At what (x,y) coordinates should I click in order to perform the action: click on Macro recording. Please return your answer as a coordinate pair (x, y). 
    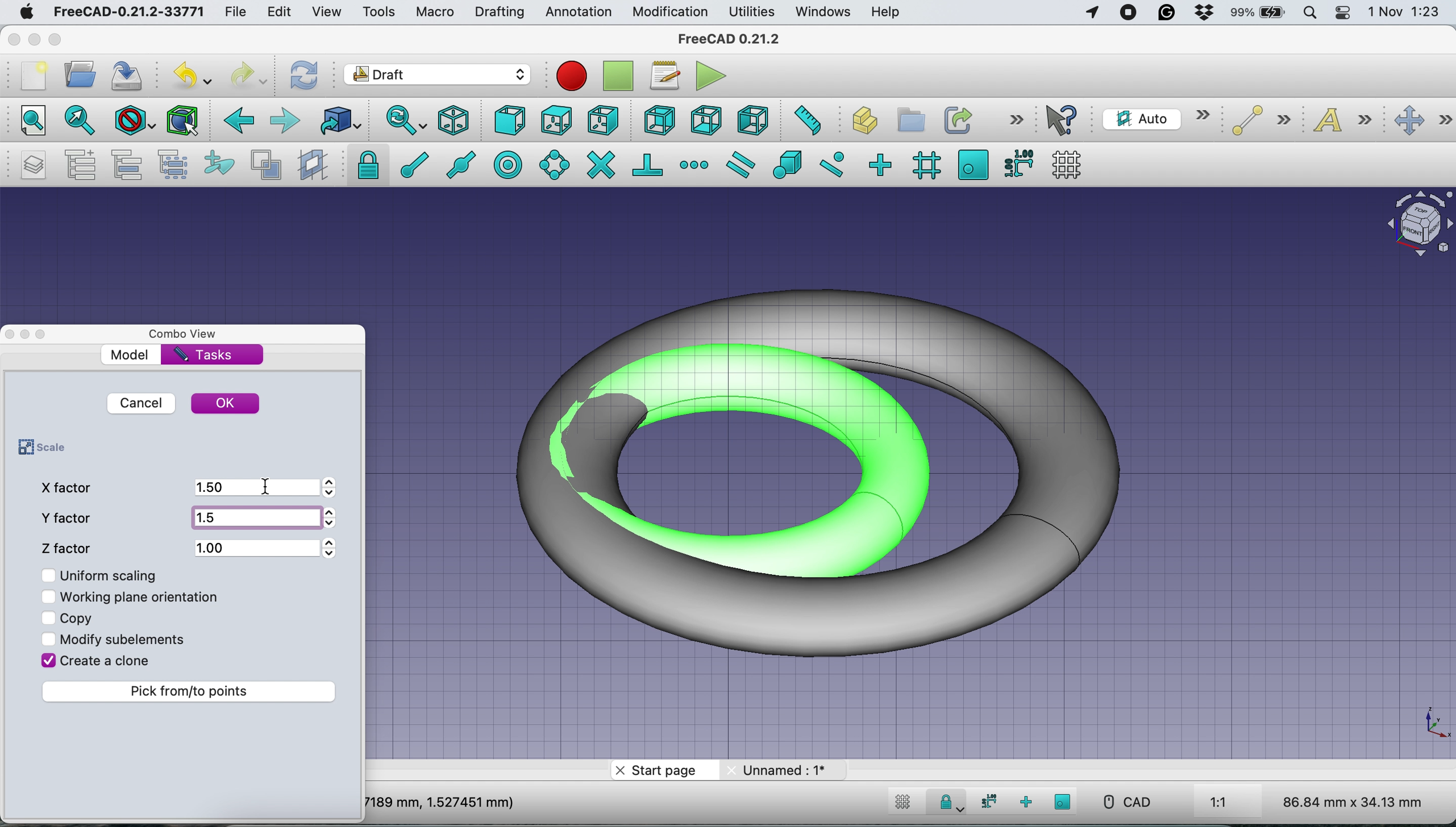
    Looking at the image, I should click on (571, 76).